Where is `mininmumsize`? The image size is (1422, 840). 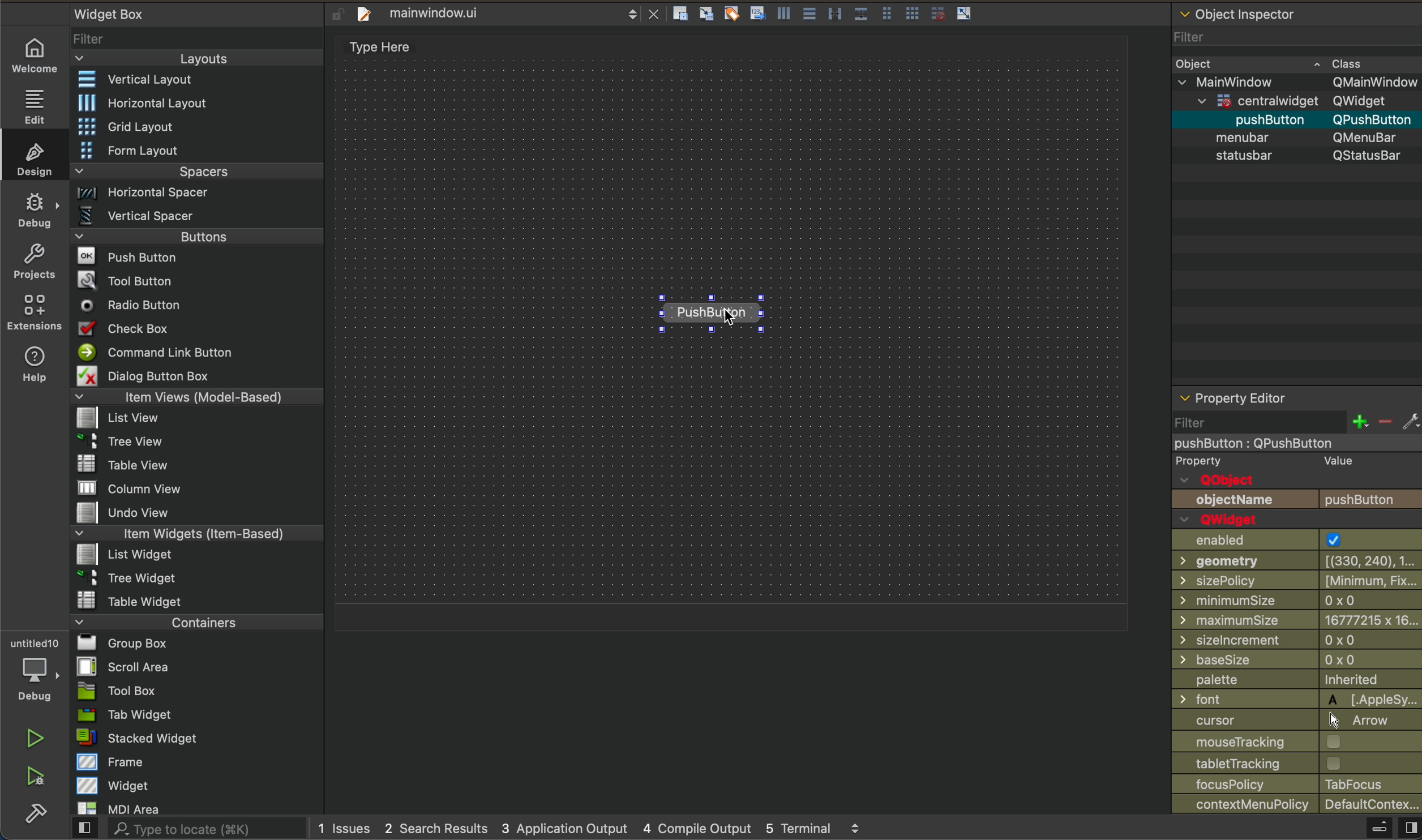 mininmumsize is located at coordinates (1296, 599).